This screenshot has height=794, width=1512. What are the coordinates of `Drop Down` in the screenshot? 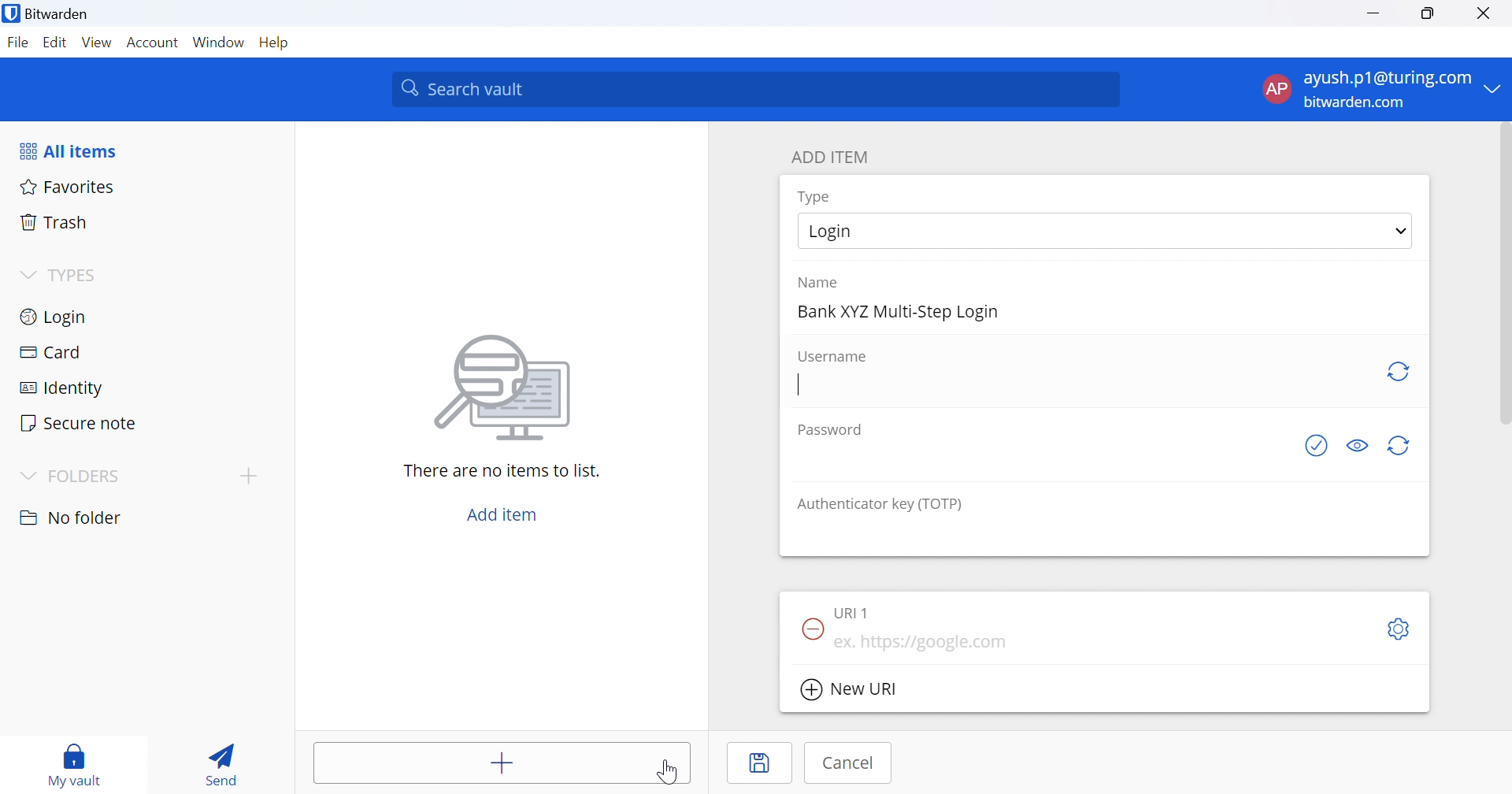 It's located at (29, 475).